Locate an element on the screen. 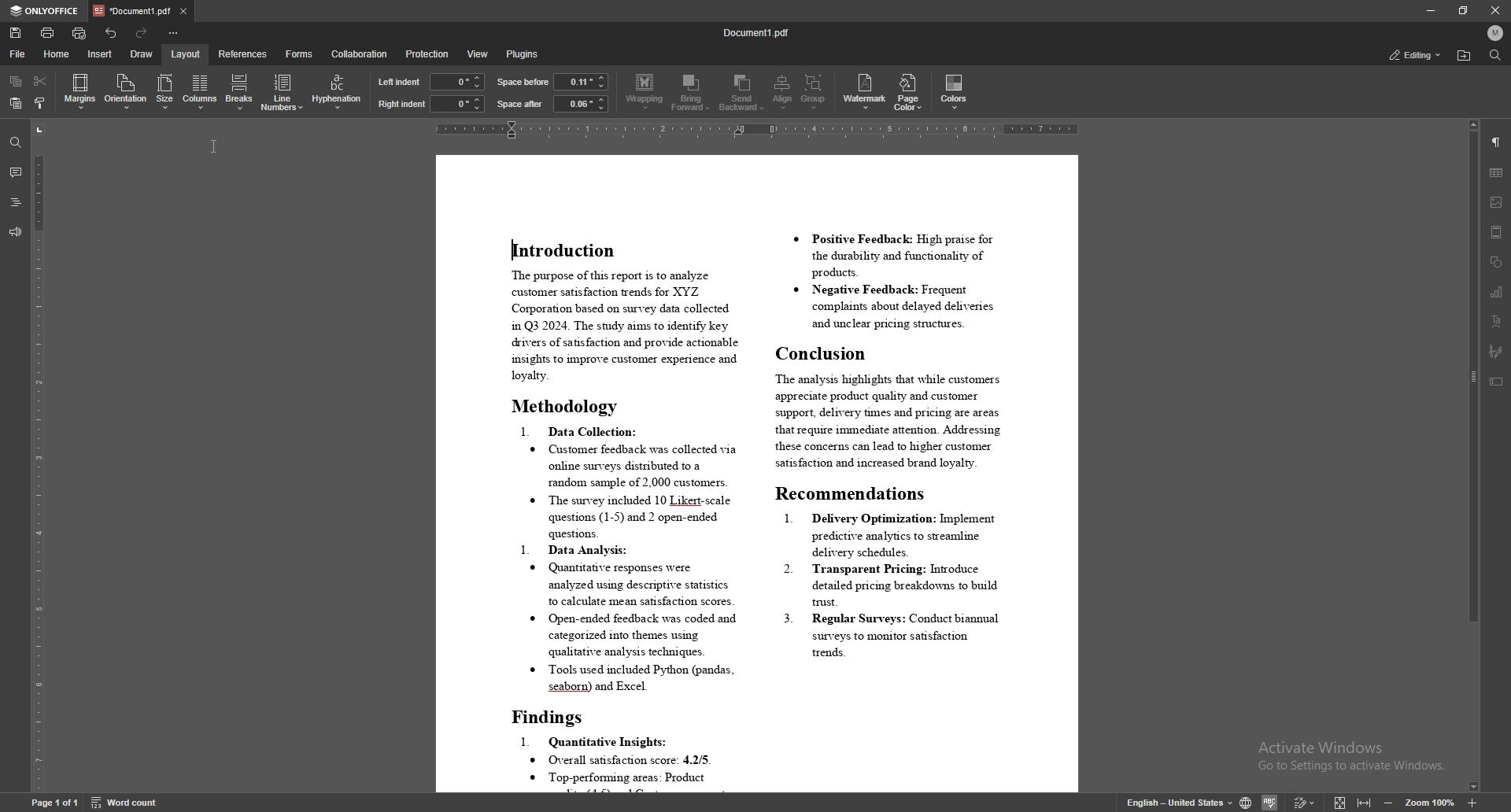 Image resolution: width=1511 pixels, height=812 pixels. redo is located at coordinates (142, 32).